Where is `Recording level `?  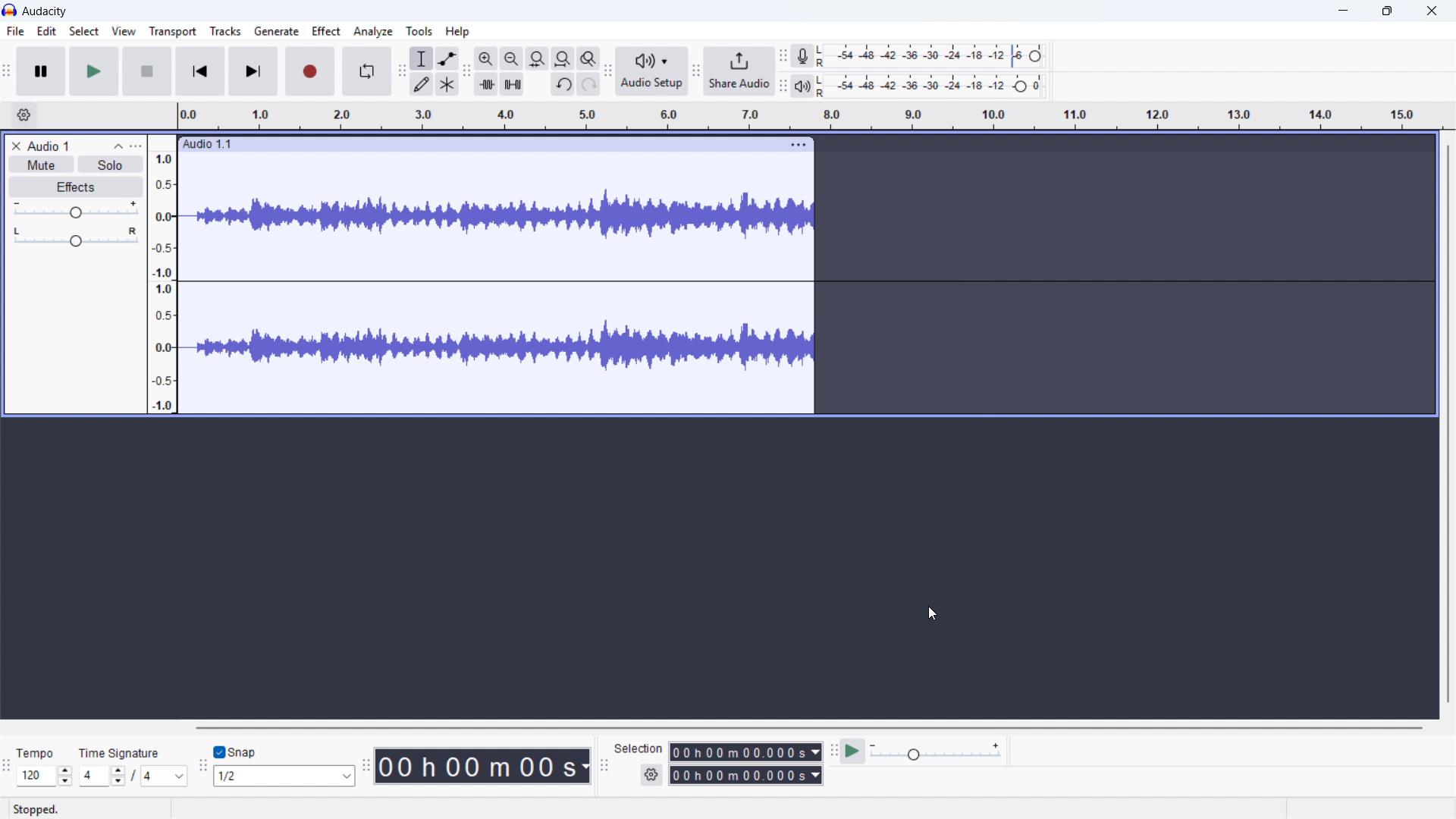
Recording level  is located at coordinates (936, 55).